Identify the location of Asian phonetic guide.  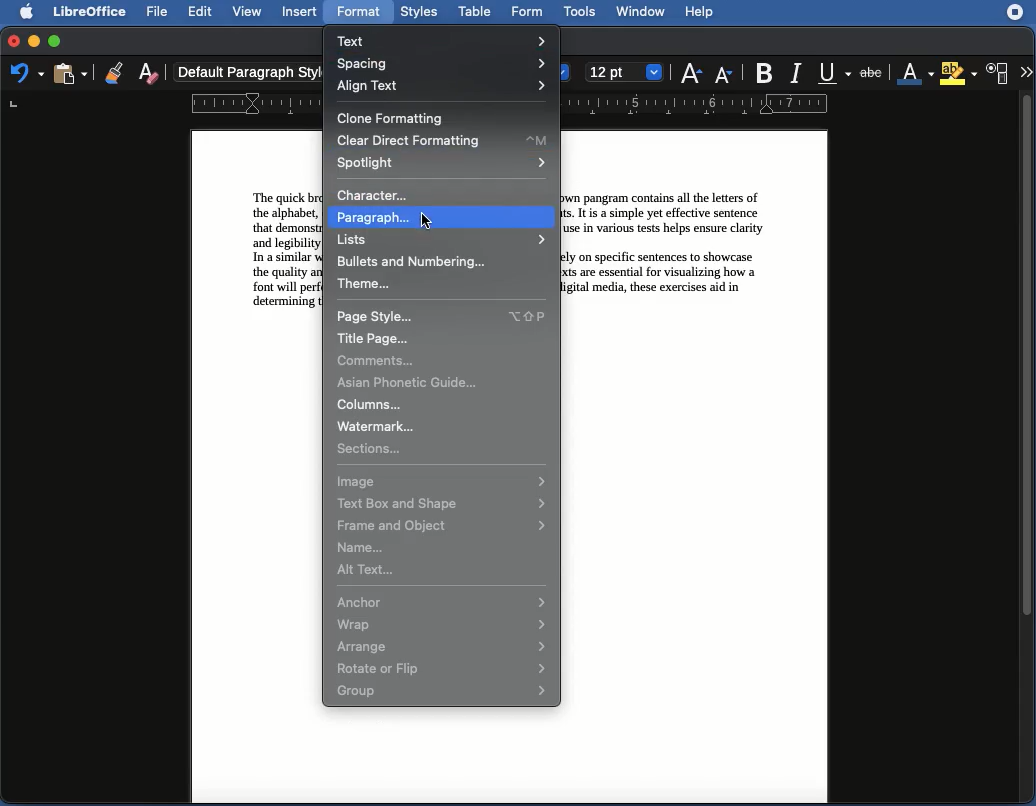
(413, 384).